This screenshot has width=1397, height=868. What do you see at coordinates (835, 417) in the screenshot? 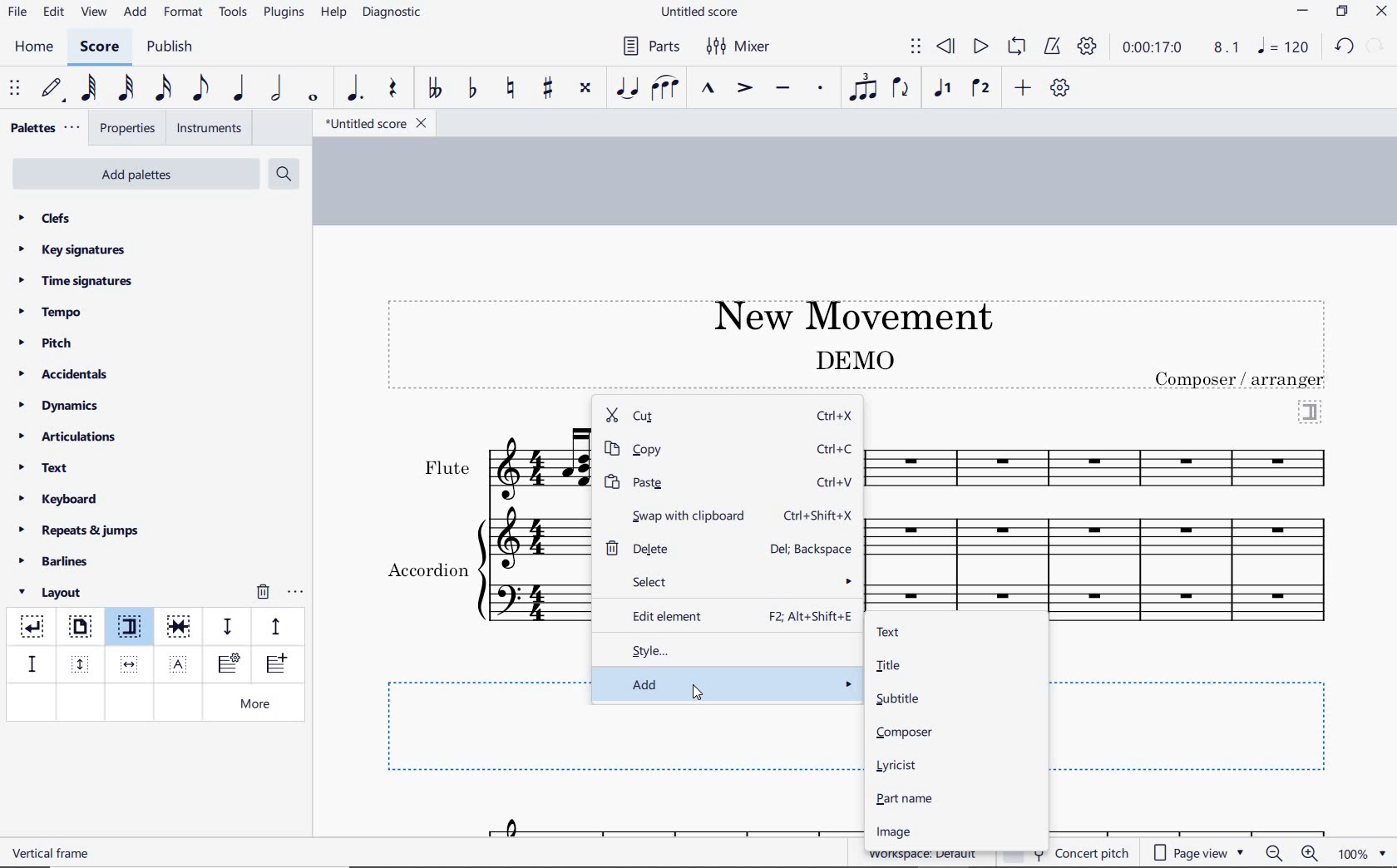
I see `Shortcut key` at bounding box center [835, 417].